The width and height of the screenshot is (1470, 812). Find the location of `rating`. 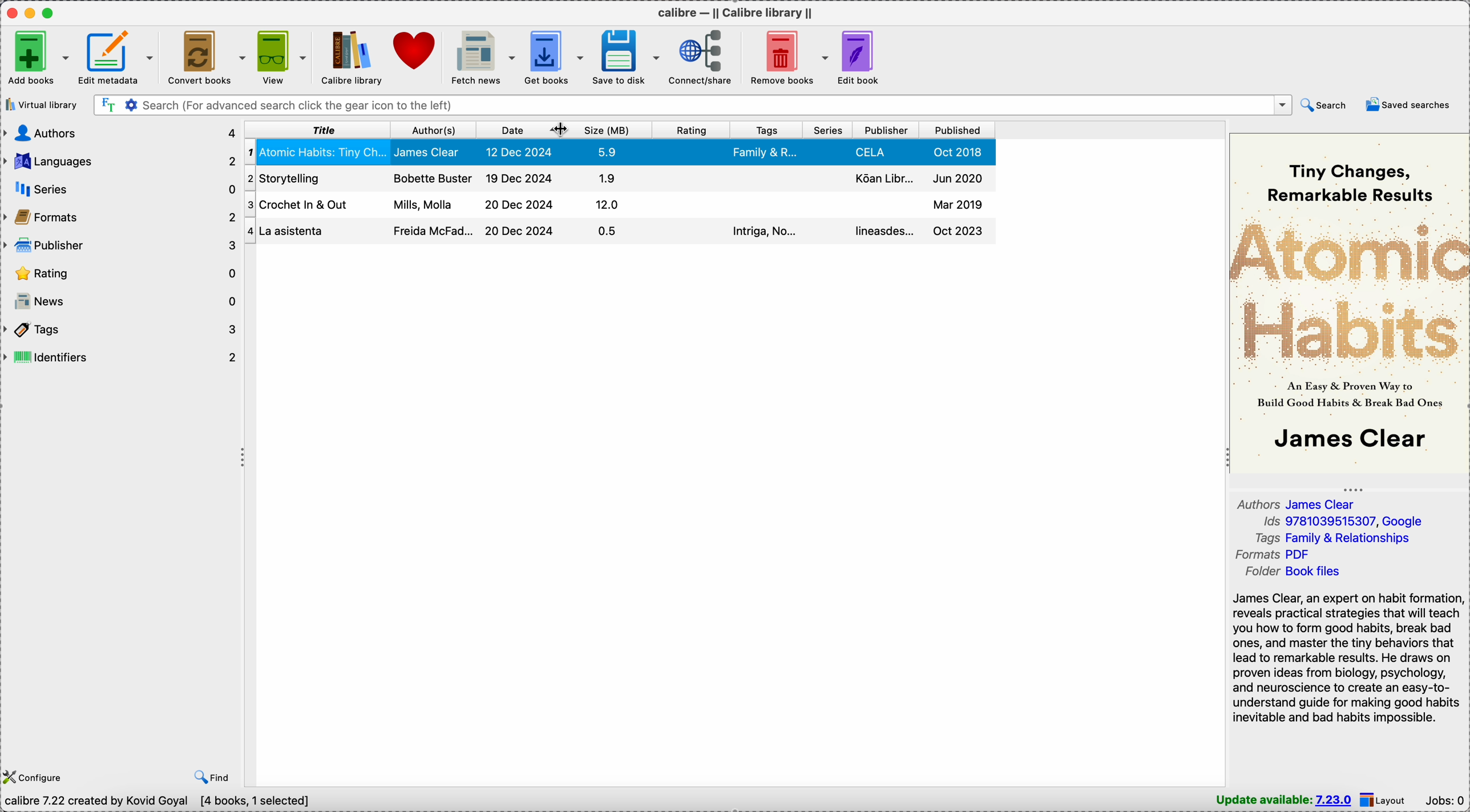

rating is located at coordinates (693, 132).